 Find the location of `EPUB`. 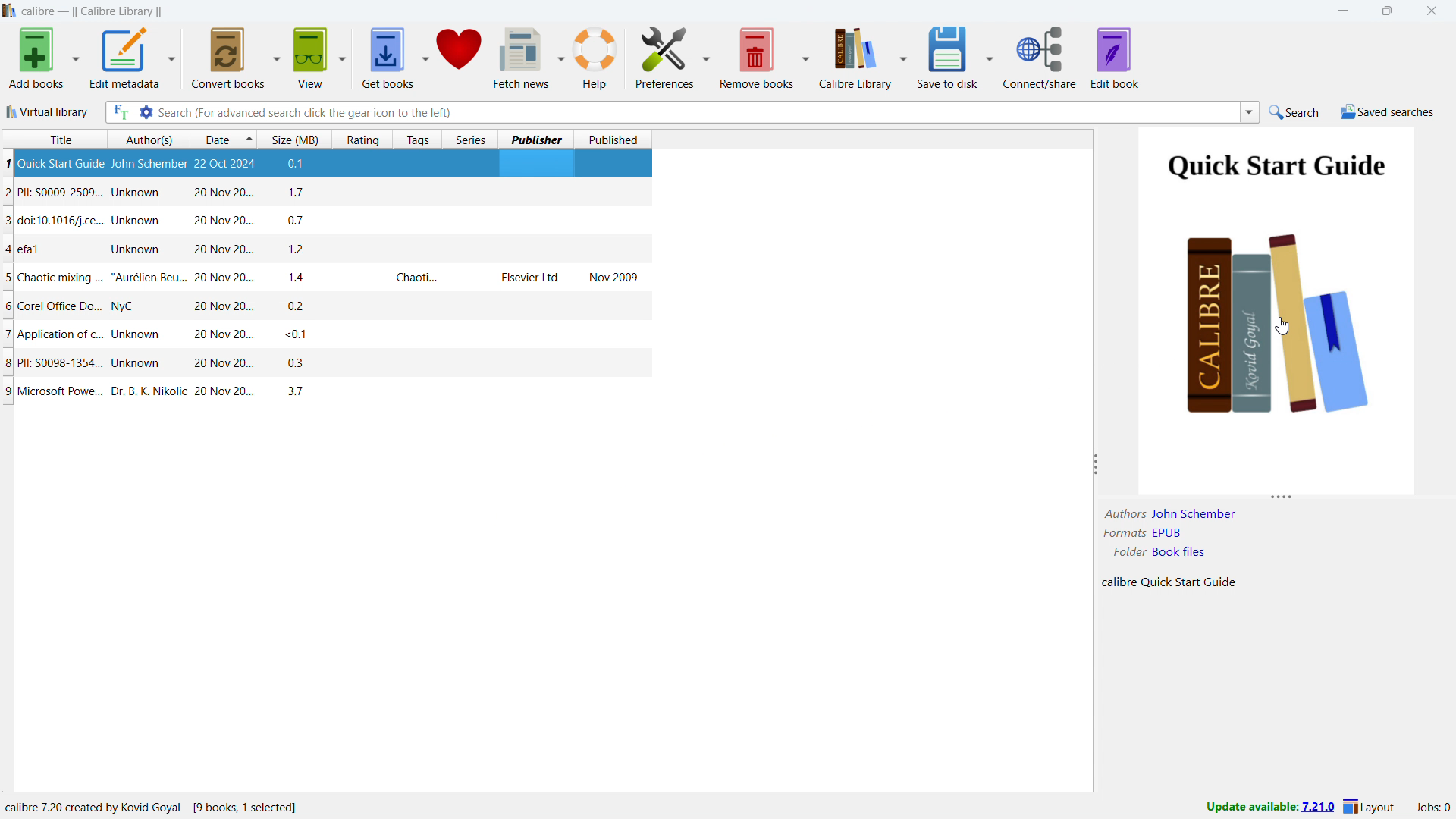

EPUB is located at coordinates (1169, 532).